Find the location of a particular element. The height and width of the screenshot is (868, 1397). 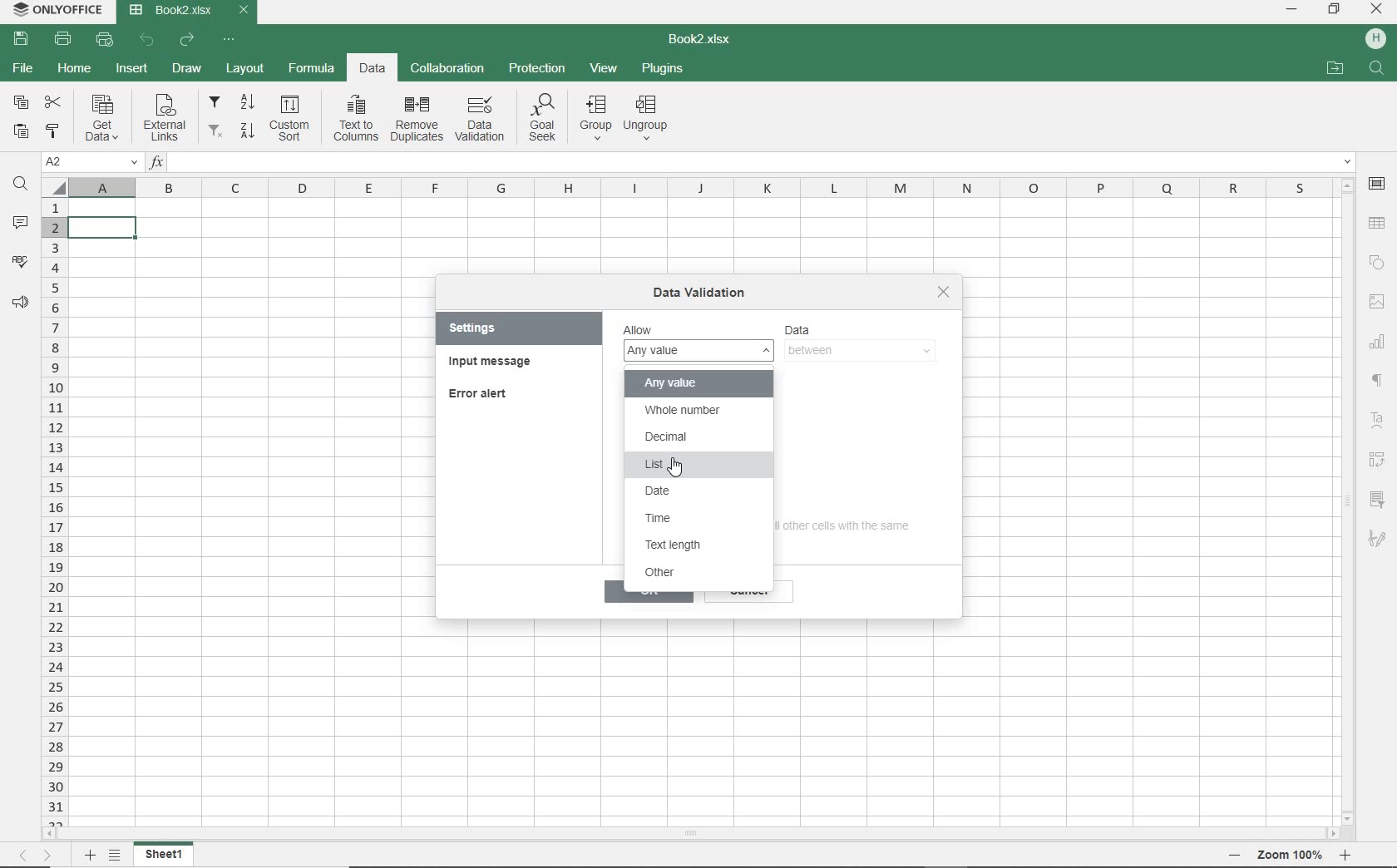

SCROLLBAR is located at coordinates (688, 831).